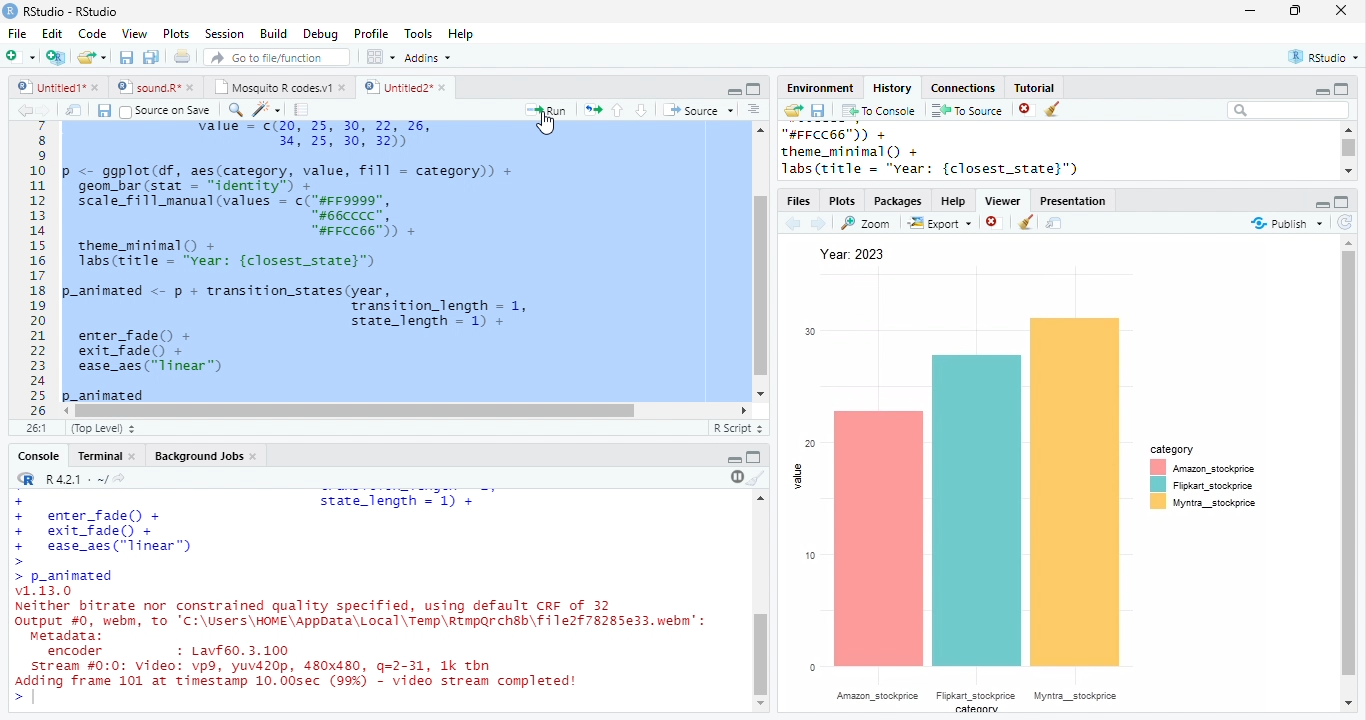  What do you see at coordinates (1073, 201) in the screenshot?
I see `Presentation` at bounding box center [1073, 201].